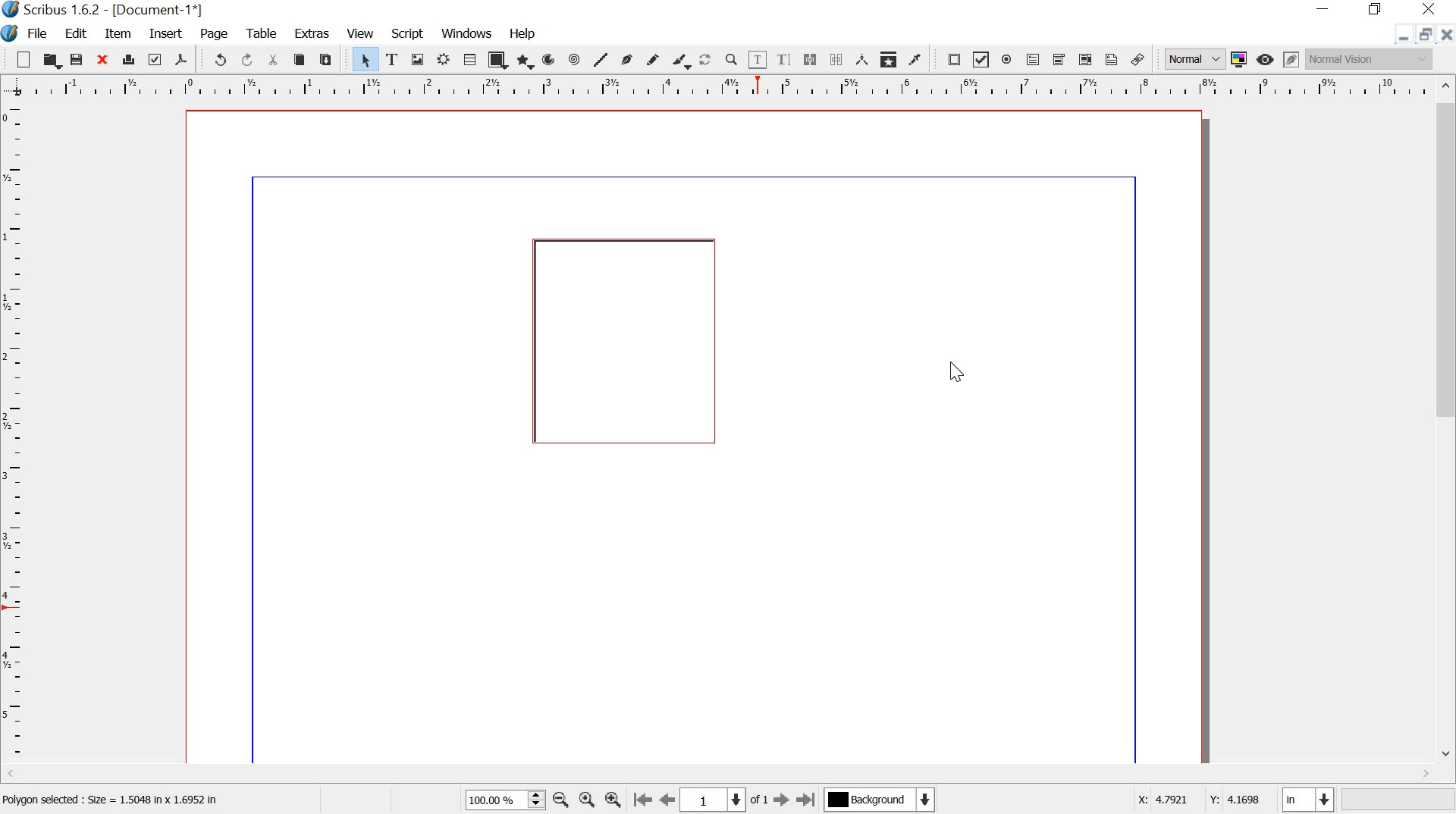 Image resolution: width=1456 pixels, height=814 pixels. Describe the element at coordinates (713, 800) in the screenshot. I see `1` at that location.